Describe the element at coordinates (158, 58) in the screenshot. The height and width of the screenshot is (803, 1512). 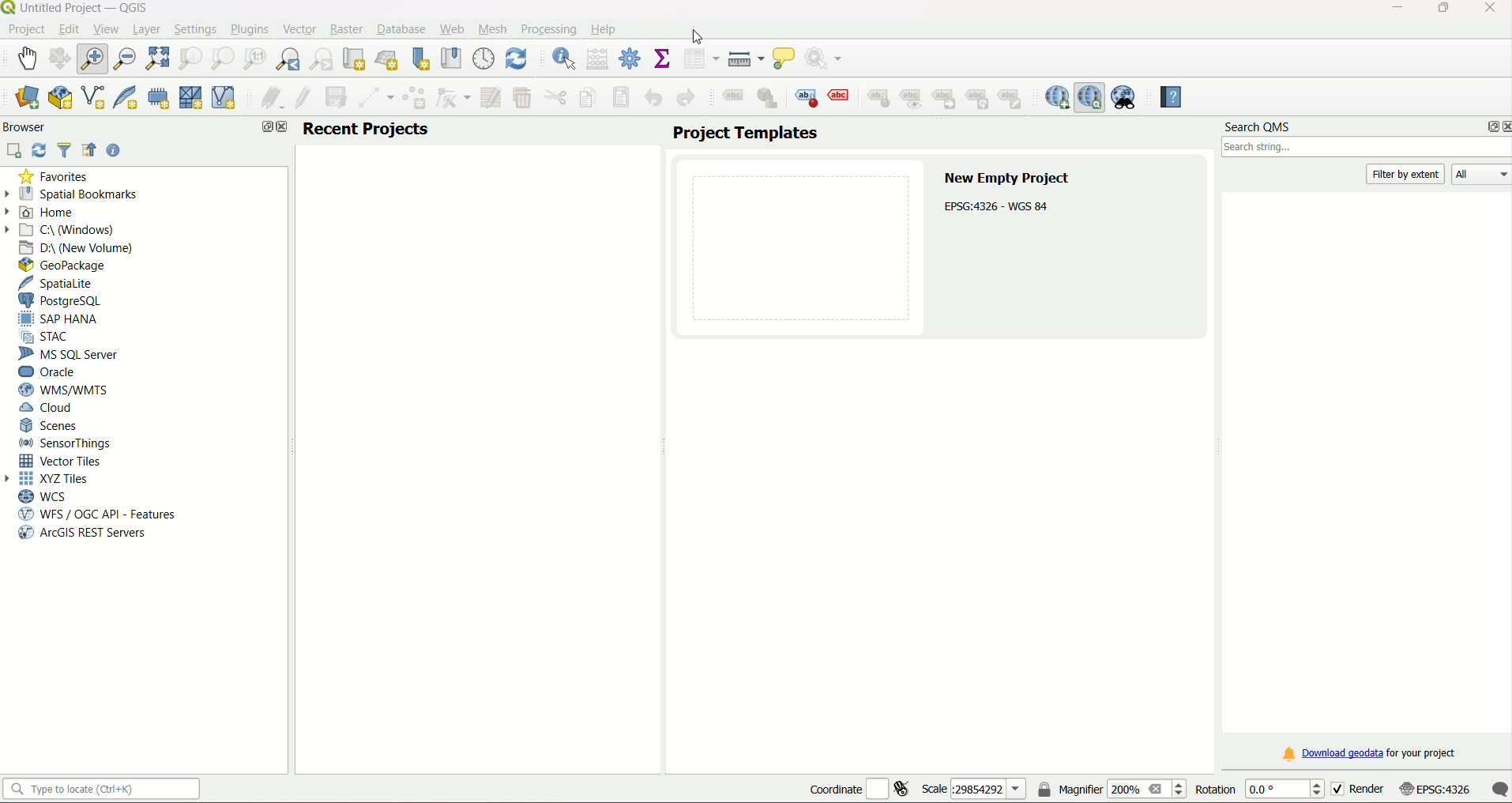
I see `zoom full` at that location.